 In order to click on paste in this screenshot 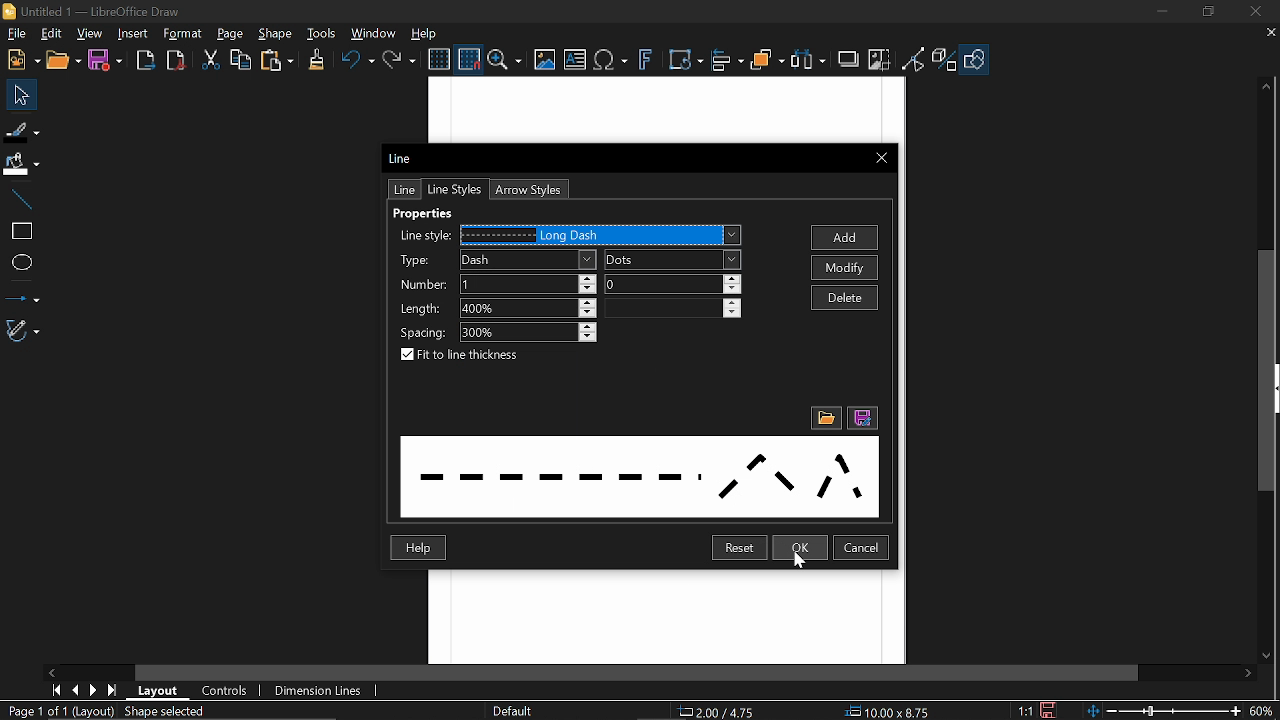, I will do `click(278, 60)`.